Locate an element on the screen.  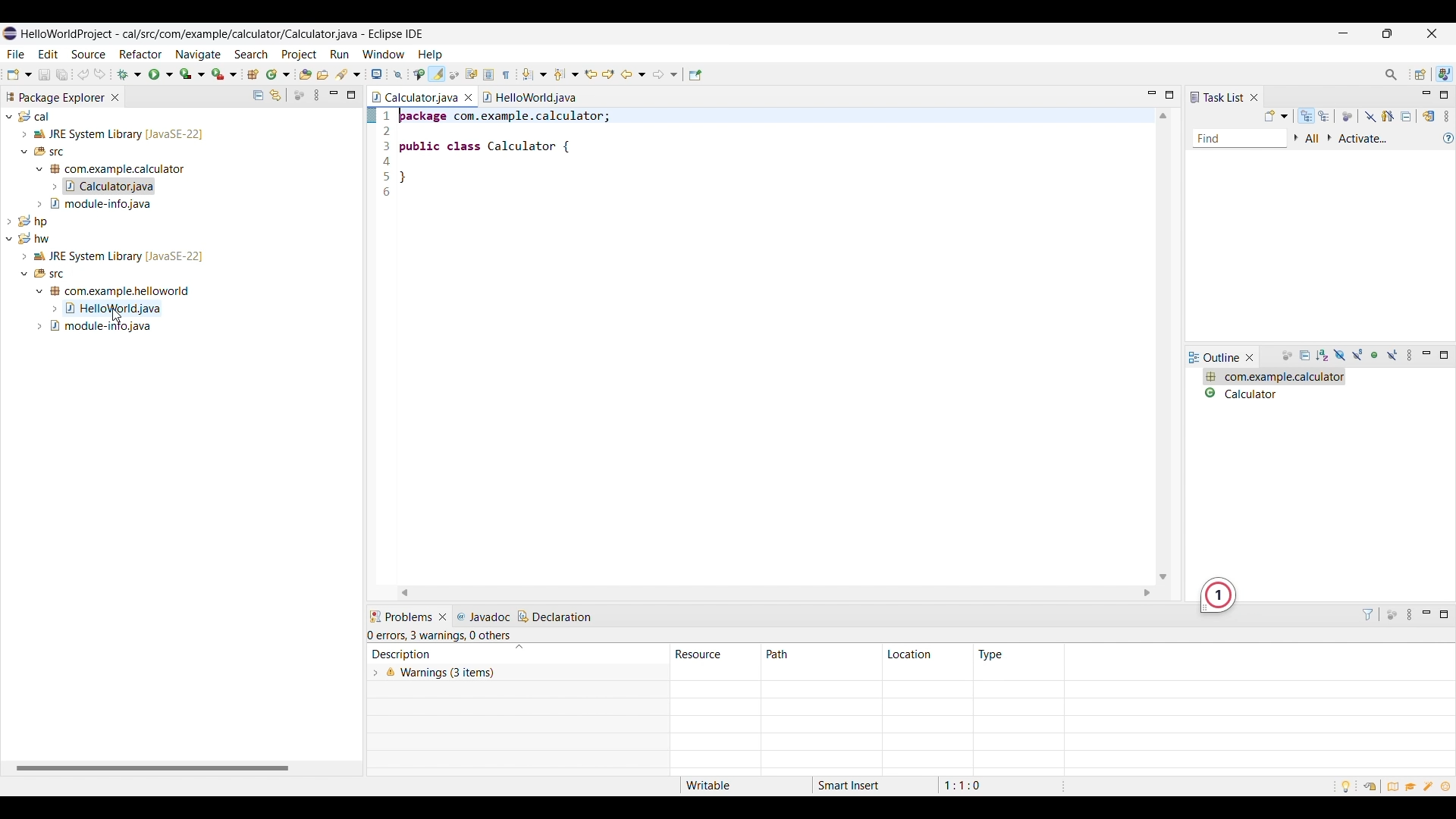
Find is located at coordinates (1240, 140).